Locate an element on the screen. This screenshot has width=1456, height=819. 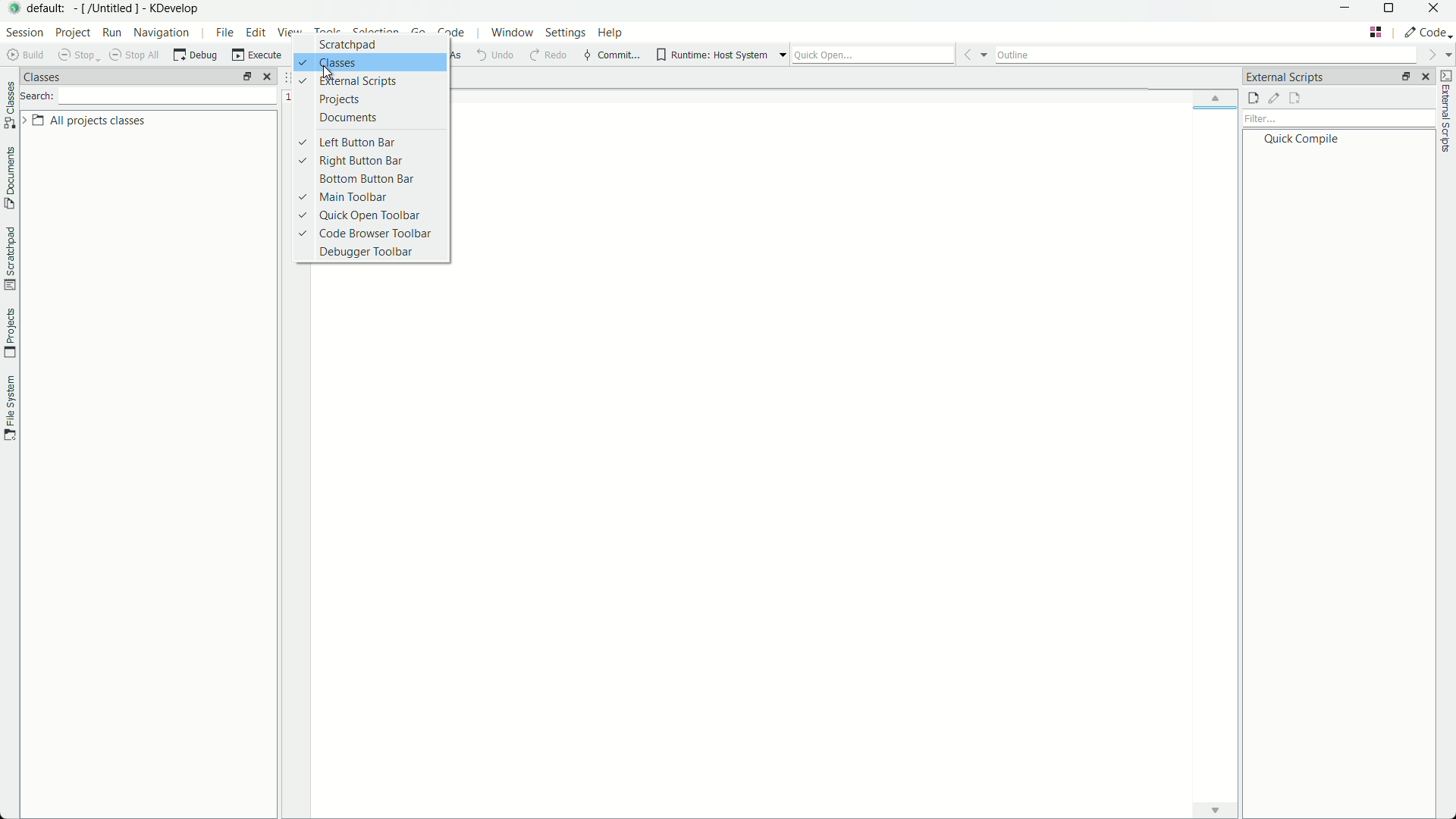
execute is located at coordinates (256, 55).